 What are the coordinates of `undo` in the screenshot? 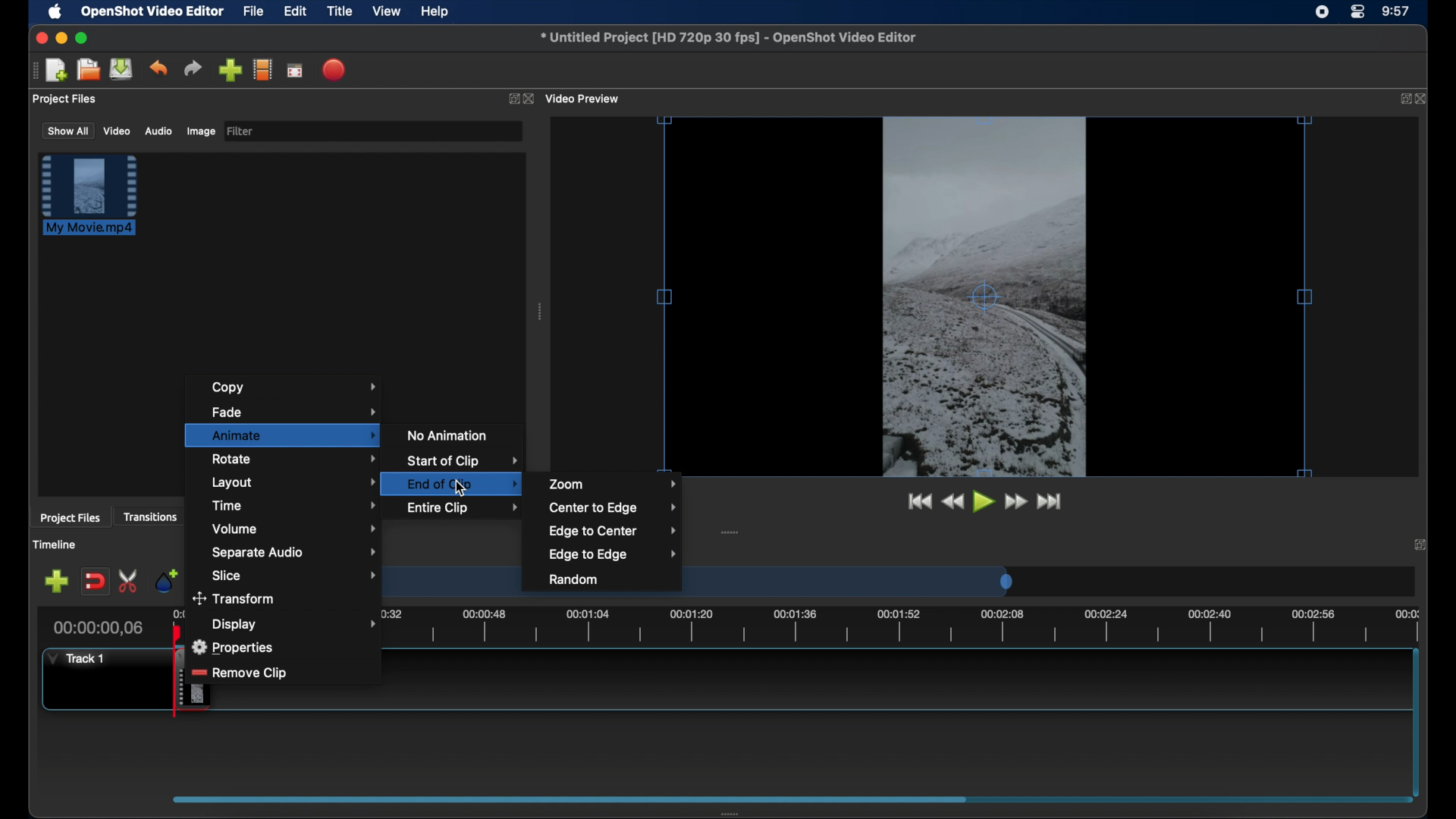 It's located at (158, 68).